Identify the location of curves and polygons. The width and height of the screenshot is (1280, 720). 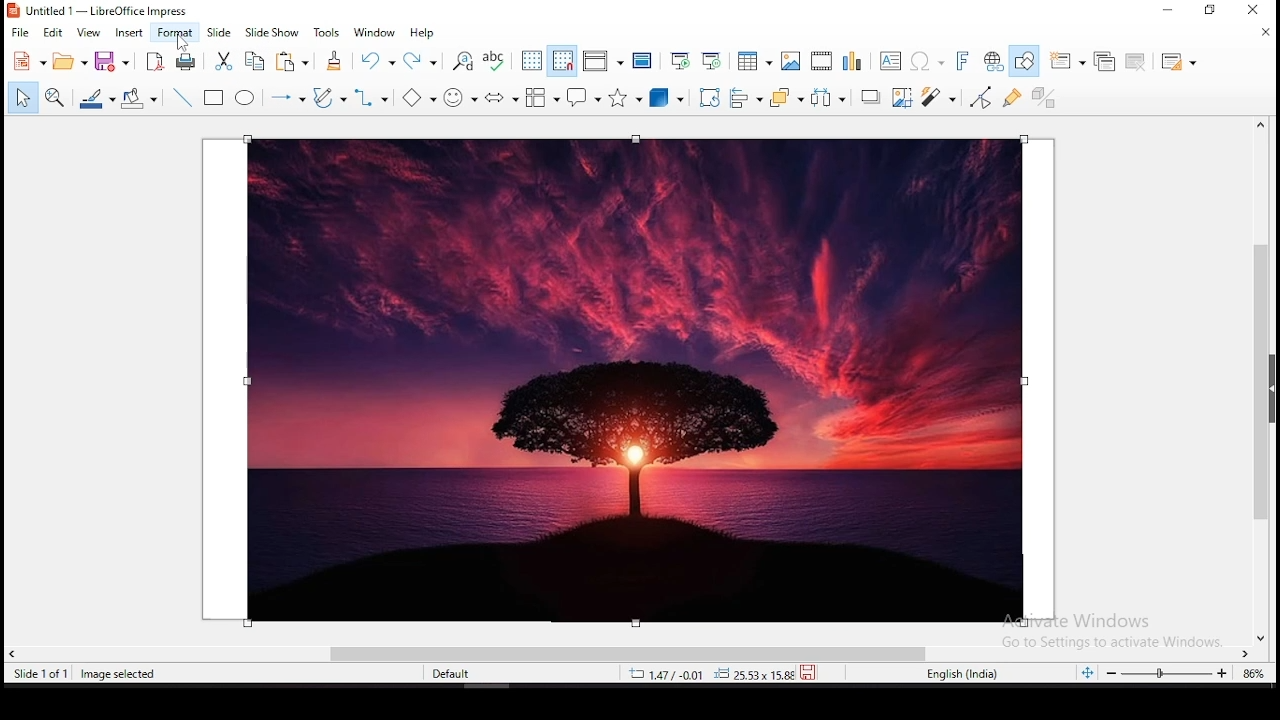
(330, 98).